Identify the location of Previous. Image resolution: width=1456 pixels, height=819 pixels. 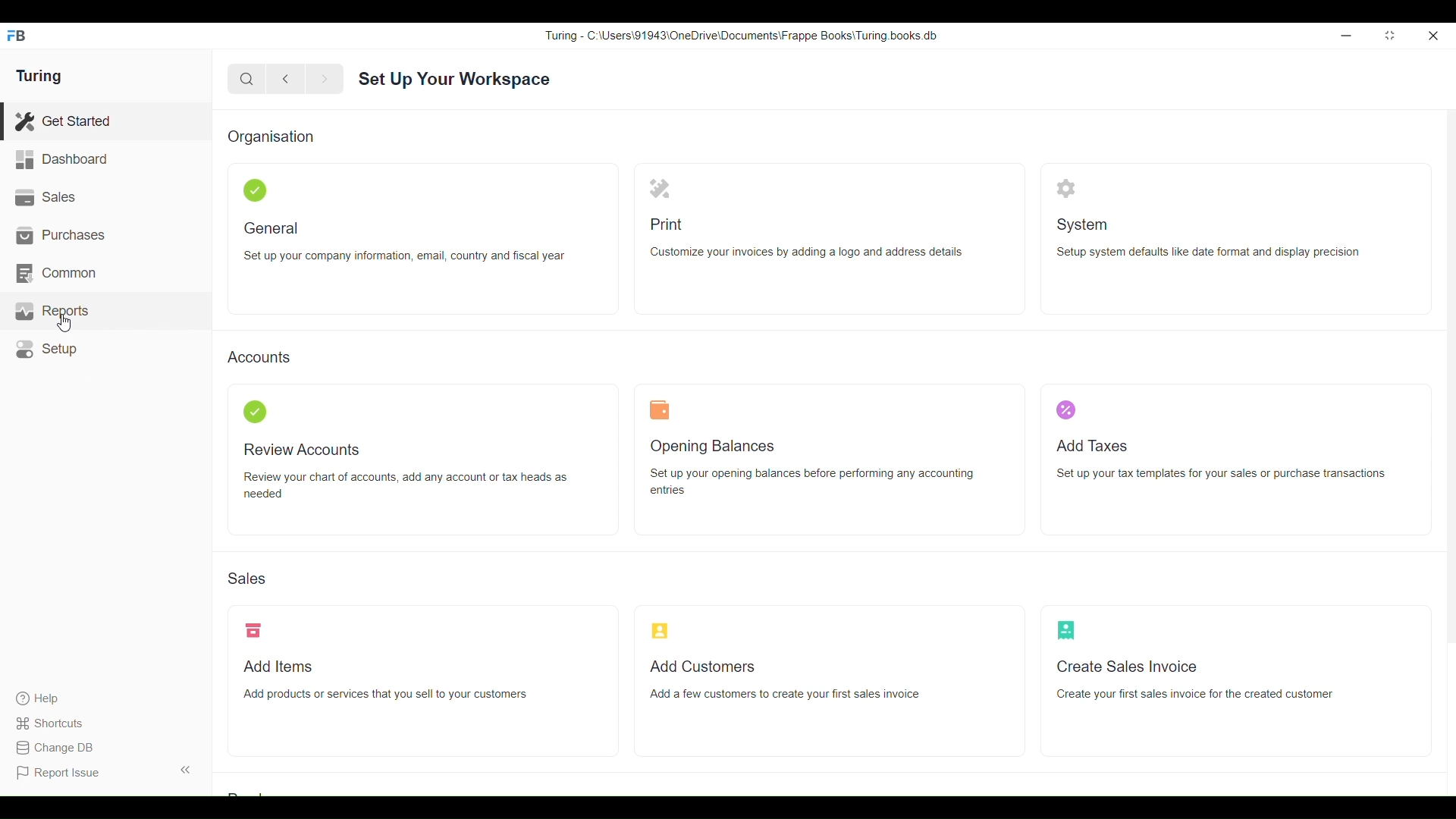
(287, 79).